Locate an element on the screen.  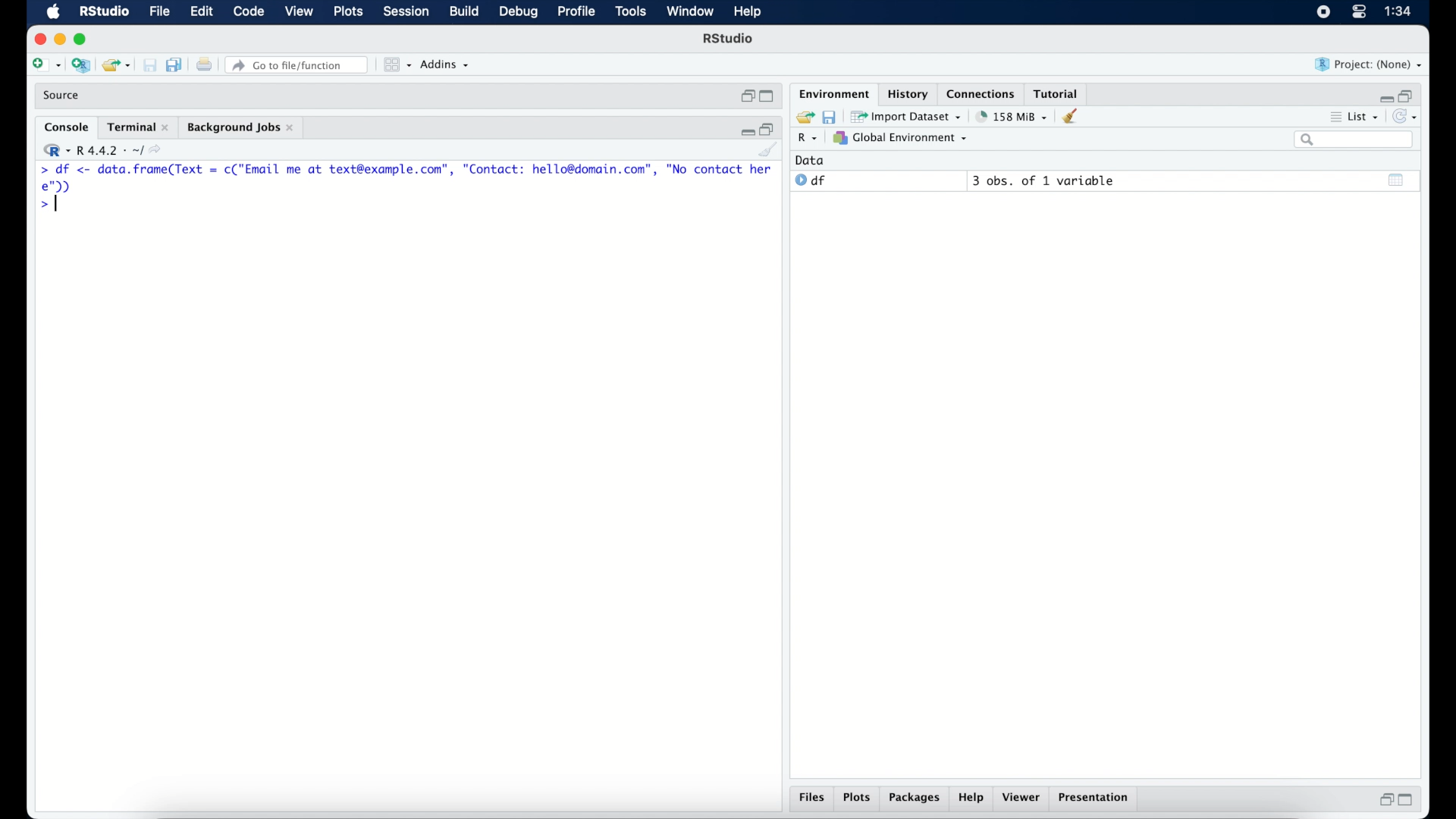
save all documents is located at coordinates (174, 64).